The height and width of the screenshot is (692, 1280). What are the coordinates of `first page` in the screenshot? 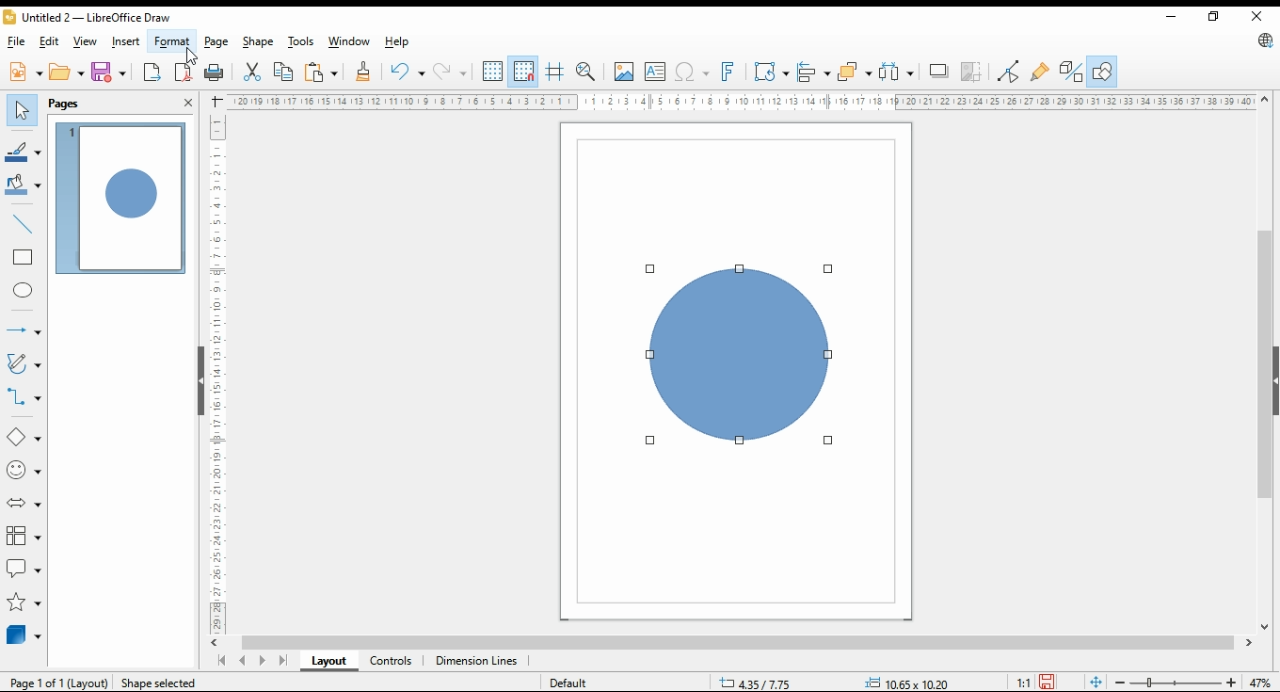 It's located at (224, 660).